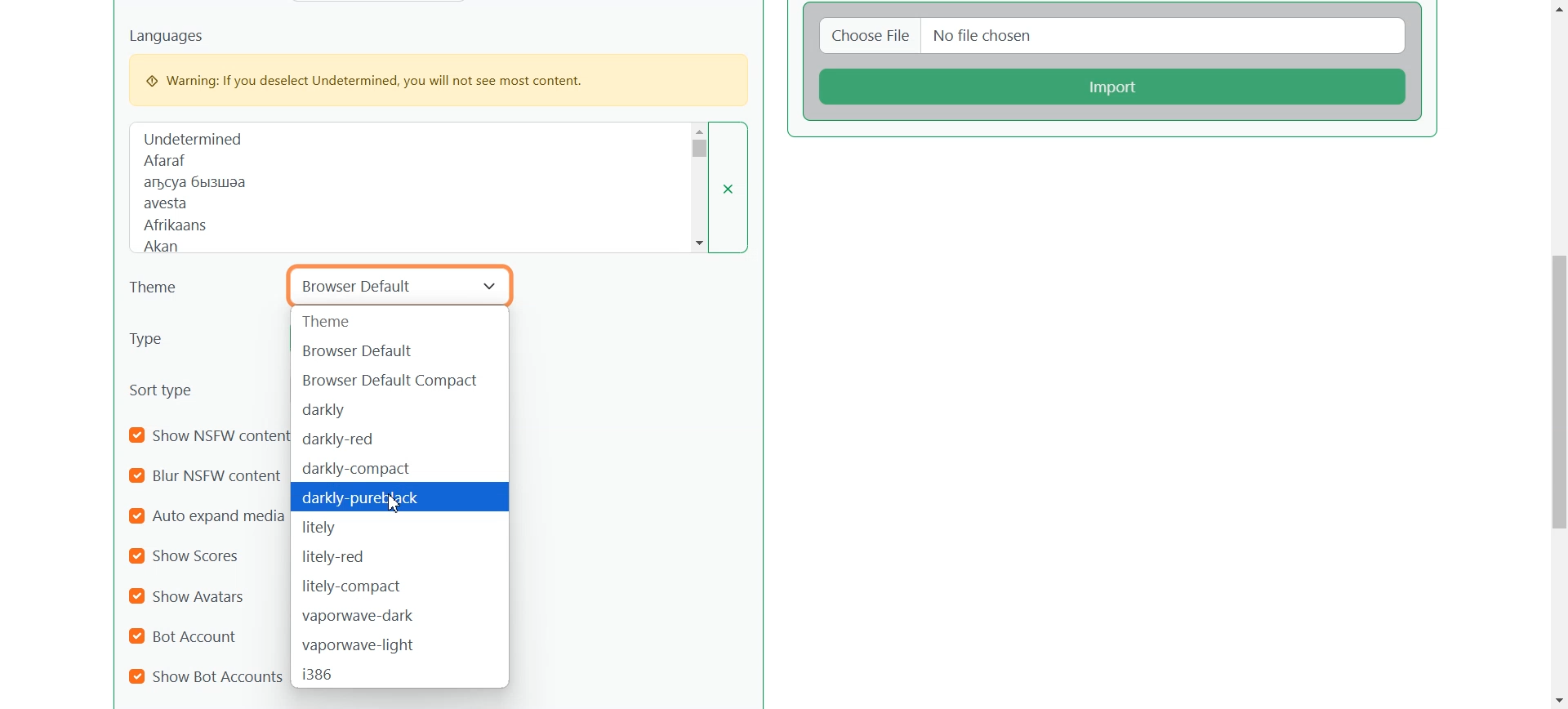  I want to click on Blur NSFW content, so click(205, 476).